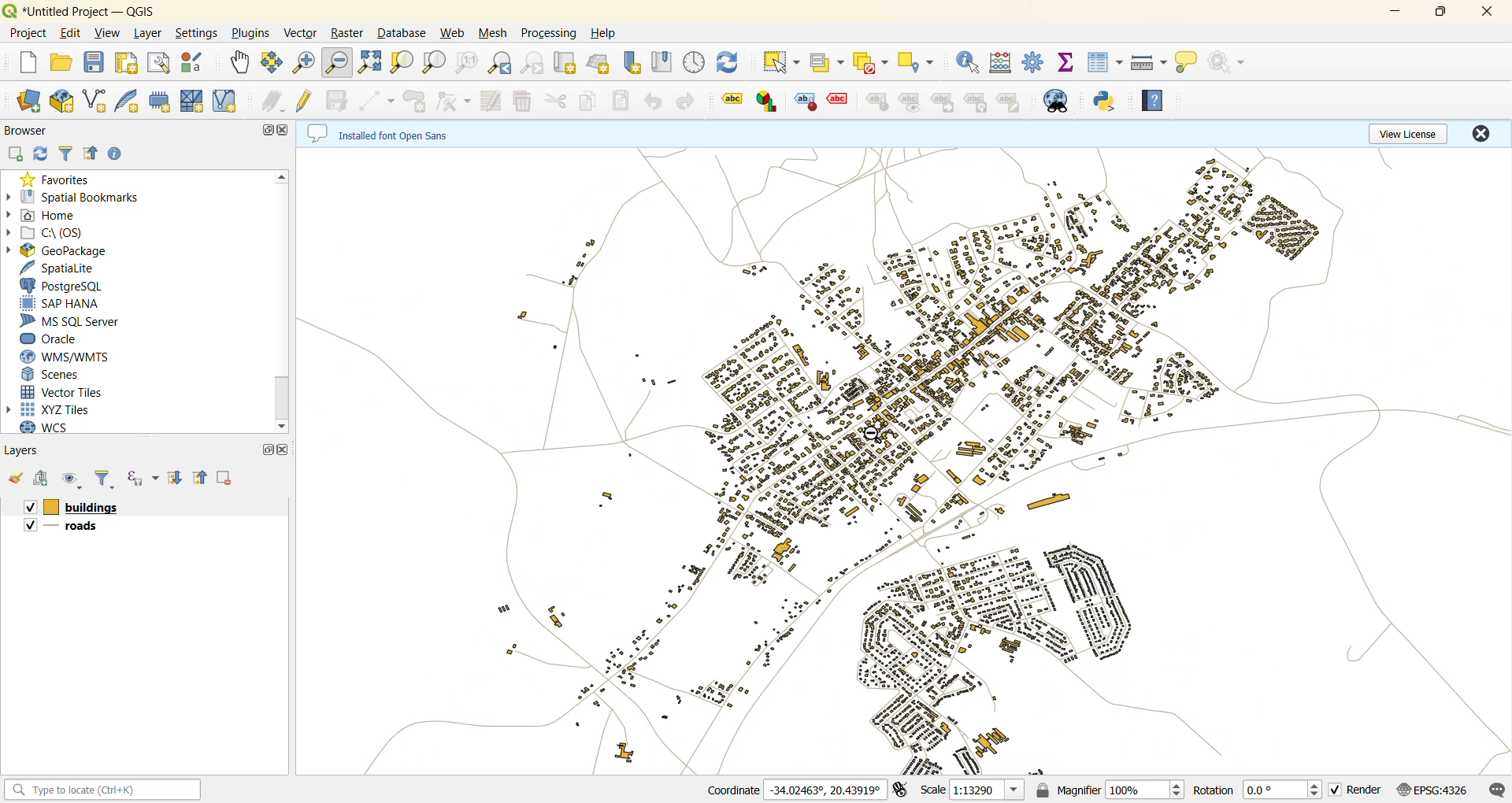 The width and height of the screenshot is (1512, 803). I want to click on zoom next, so click(534, 62).